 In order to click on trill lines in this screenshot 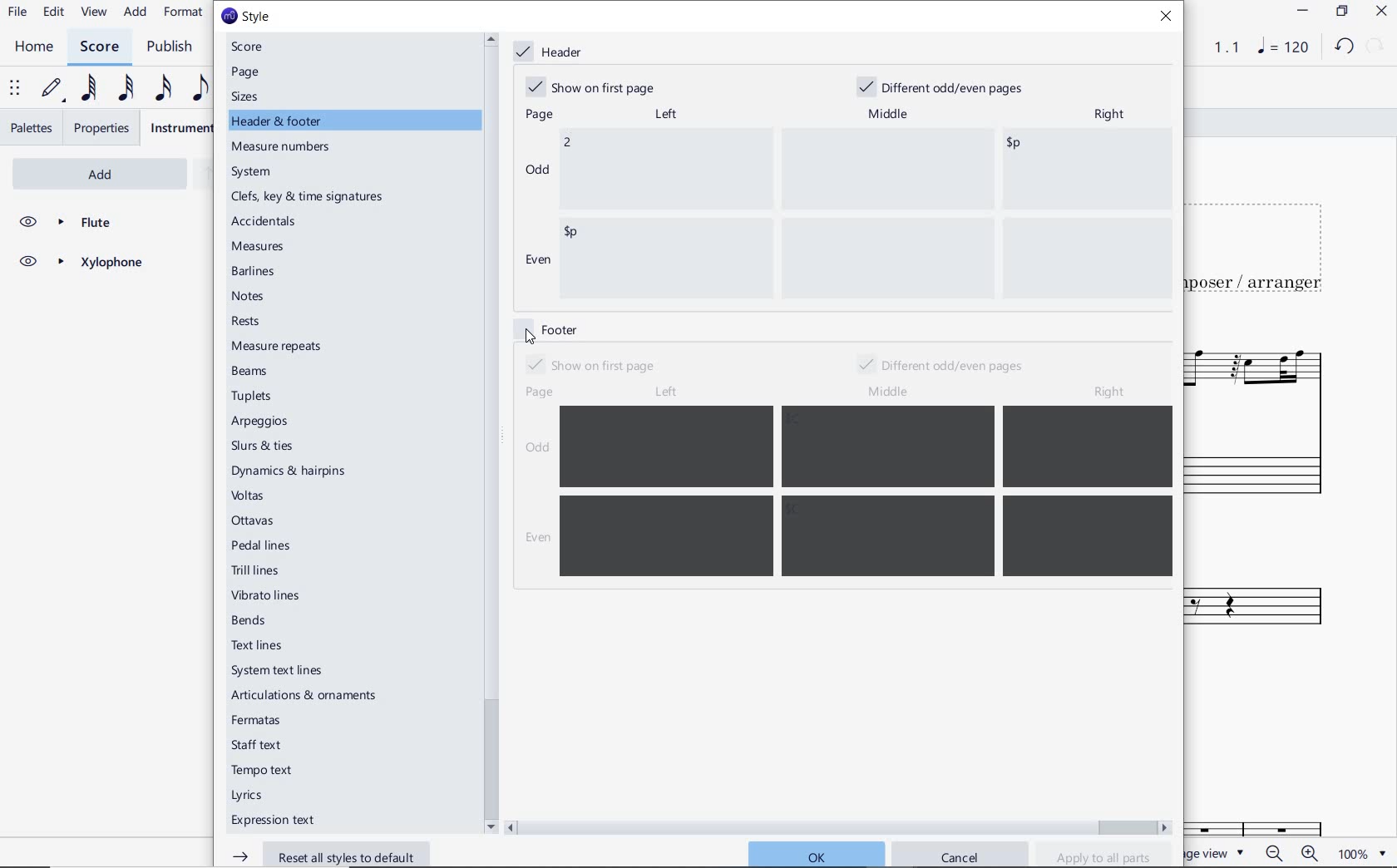, I will do `click(256, 570)`.